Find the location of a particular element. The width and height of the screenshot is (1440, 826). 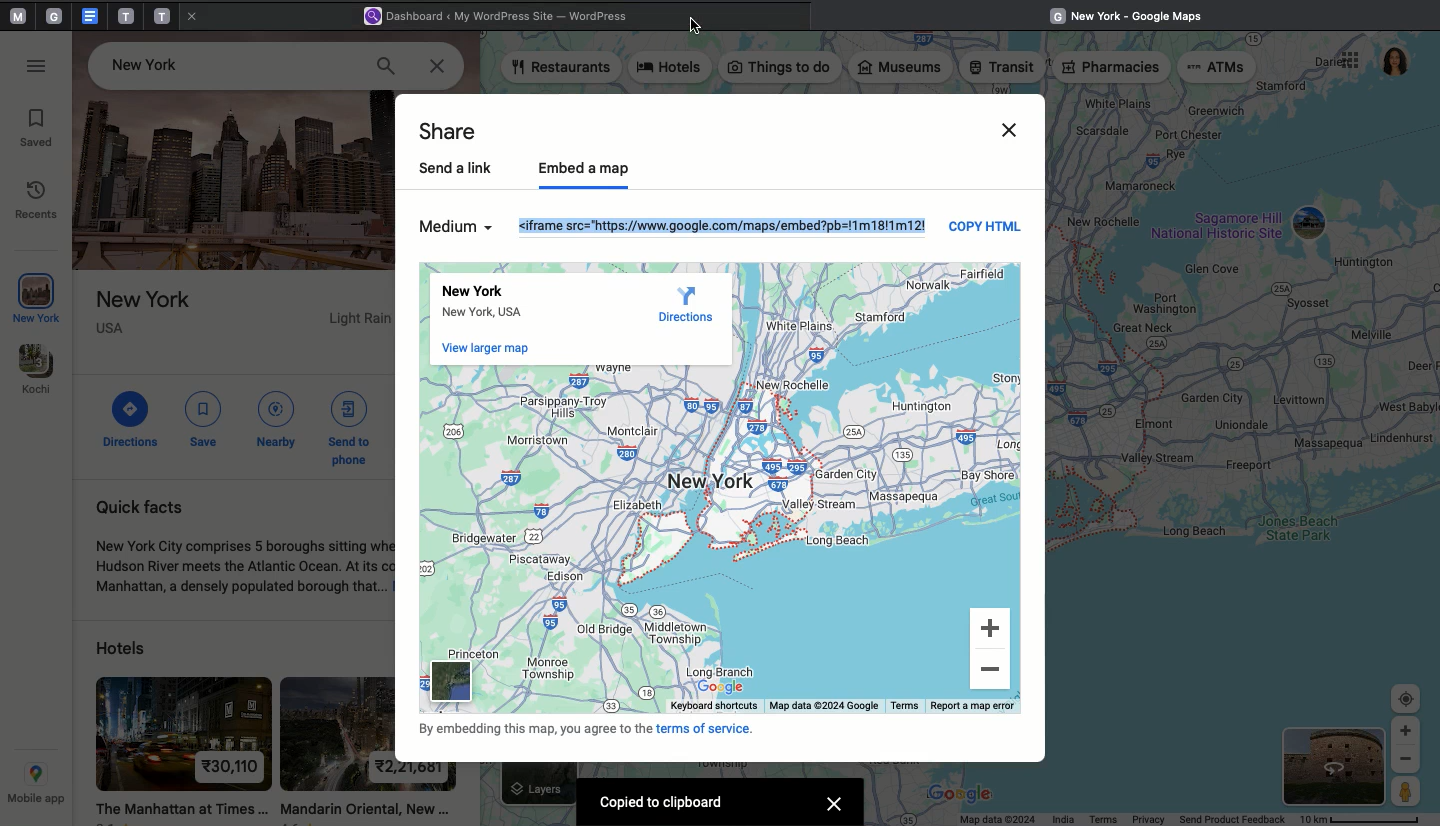

tab is located at coordinates (126, 16).